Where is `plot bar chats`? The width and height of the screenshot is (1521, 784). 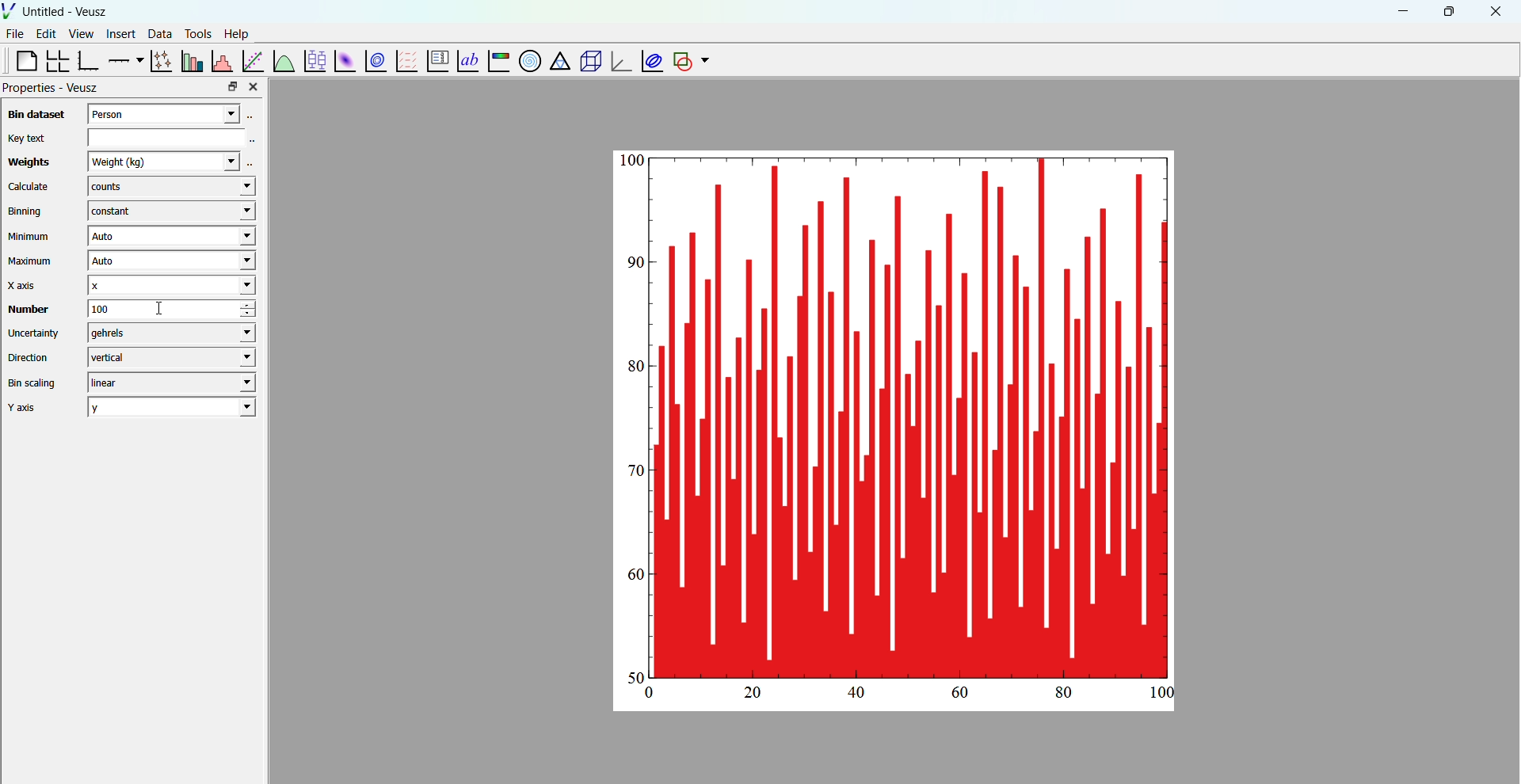 plot bar chats is located at coordinates (190, 61).